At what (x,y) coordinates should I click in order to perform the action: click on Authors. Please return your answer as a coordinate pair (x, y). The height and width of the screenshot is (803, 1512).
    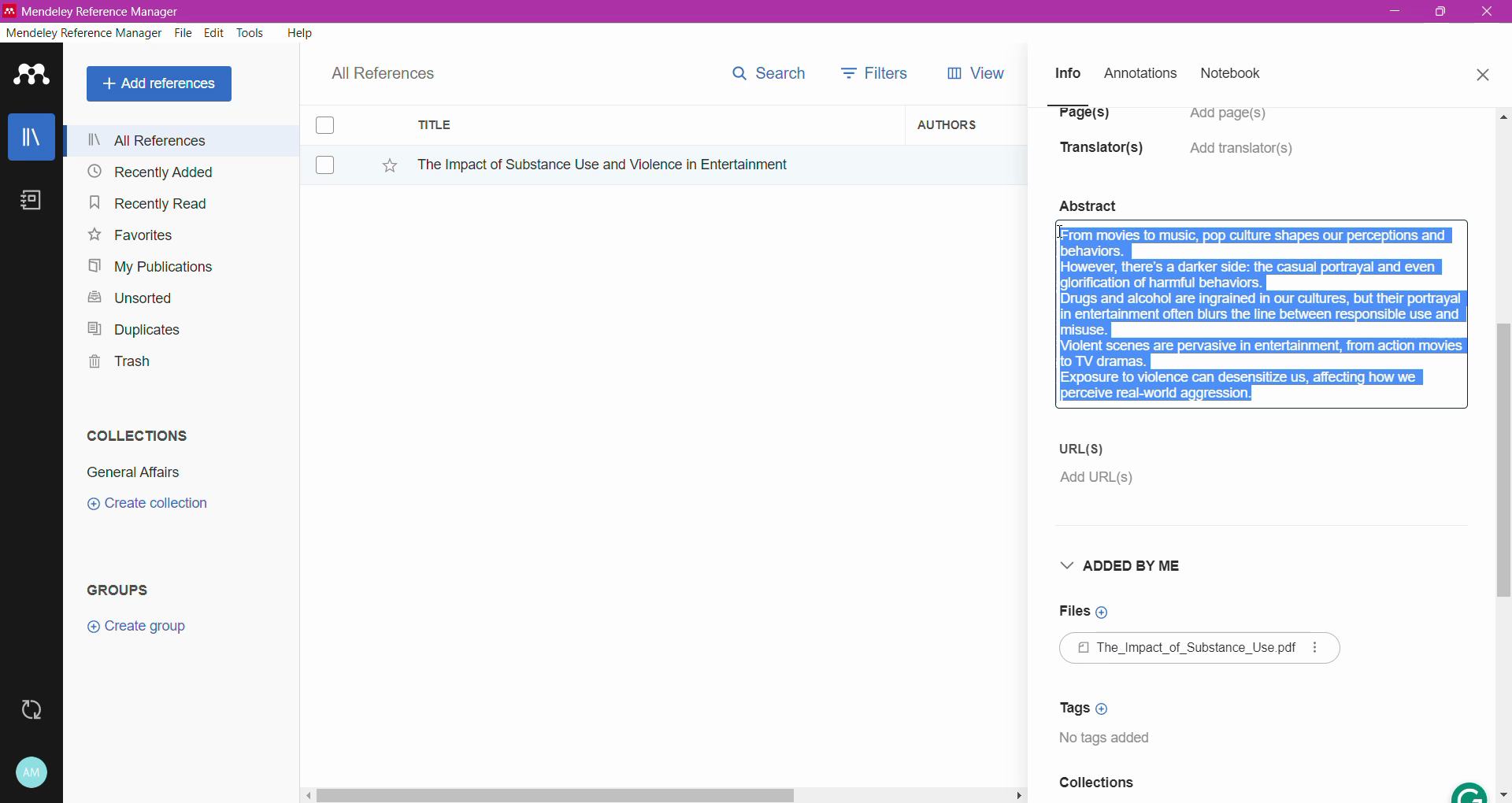
    Looking at the image, I should click on (966, 124).